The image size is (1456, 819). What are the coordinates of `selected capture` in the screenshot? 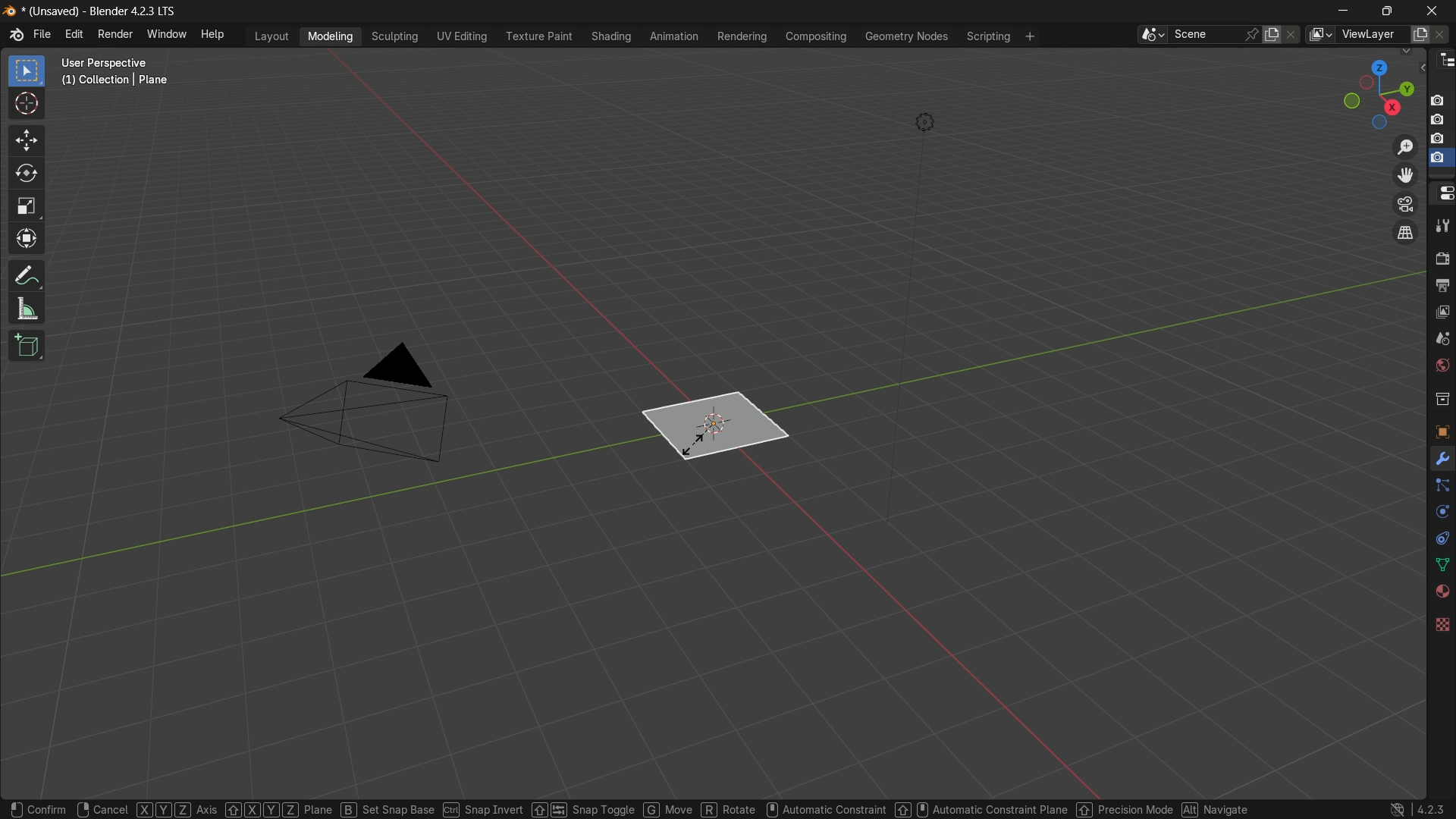 It's located at (1439, 160).